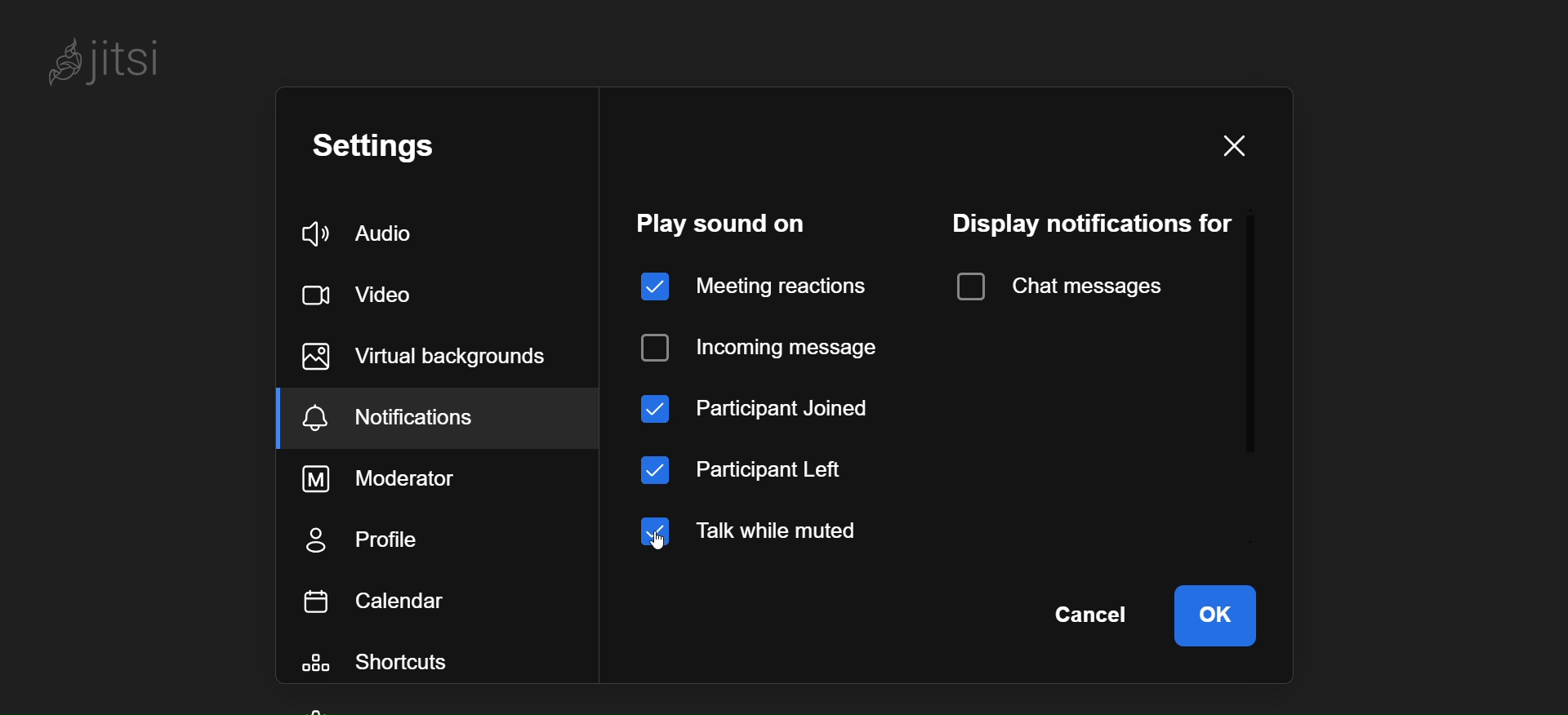 The width and height of the screenshot is (1568, 715). I want to click on video, so click(368, 294).